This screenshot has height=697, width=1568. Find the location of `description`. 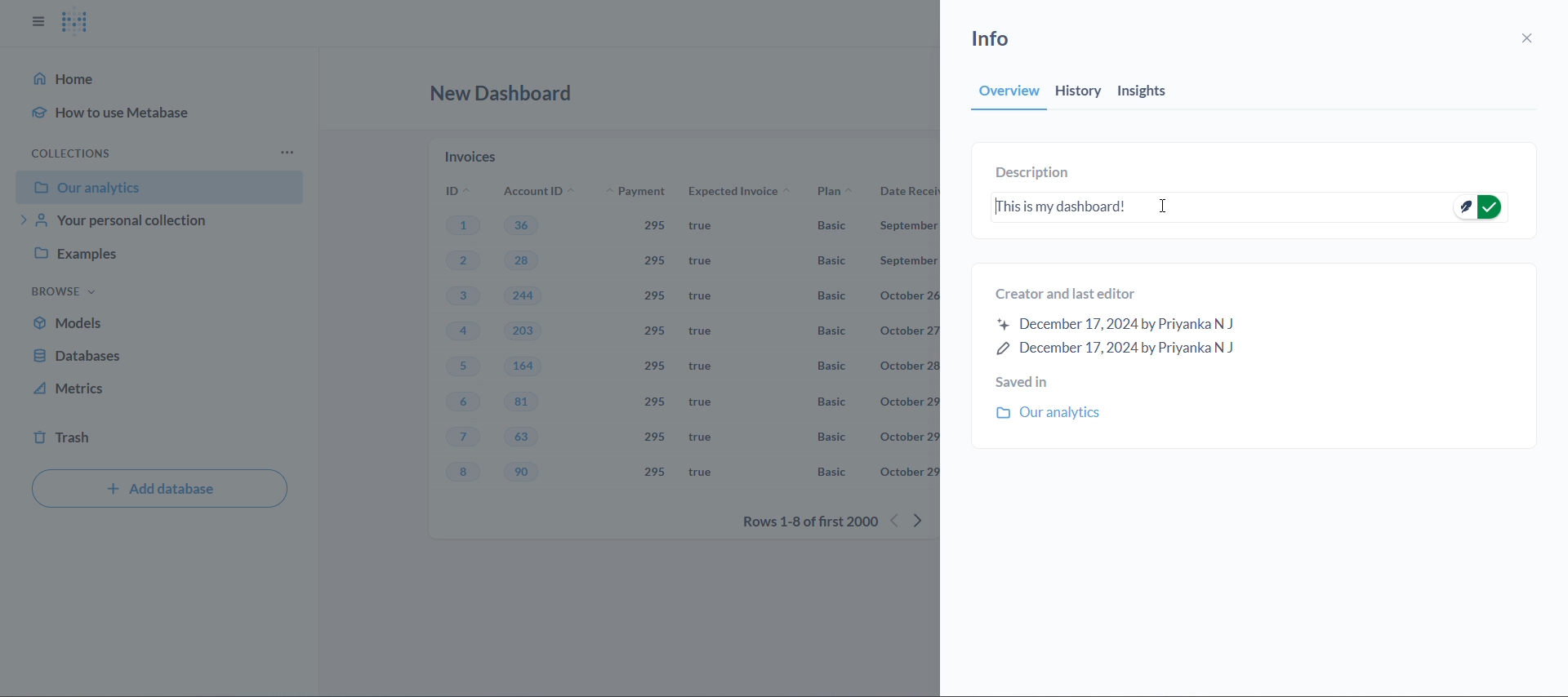

description is located at coordinates (1036, 174).